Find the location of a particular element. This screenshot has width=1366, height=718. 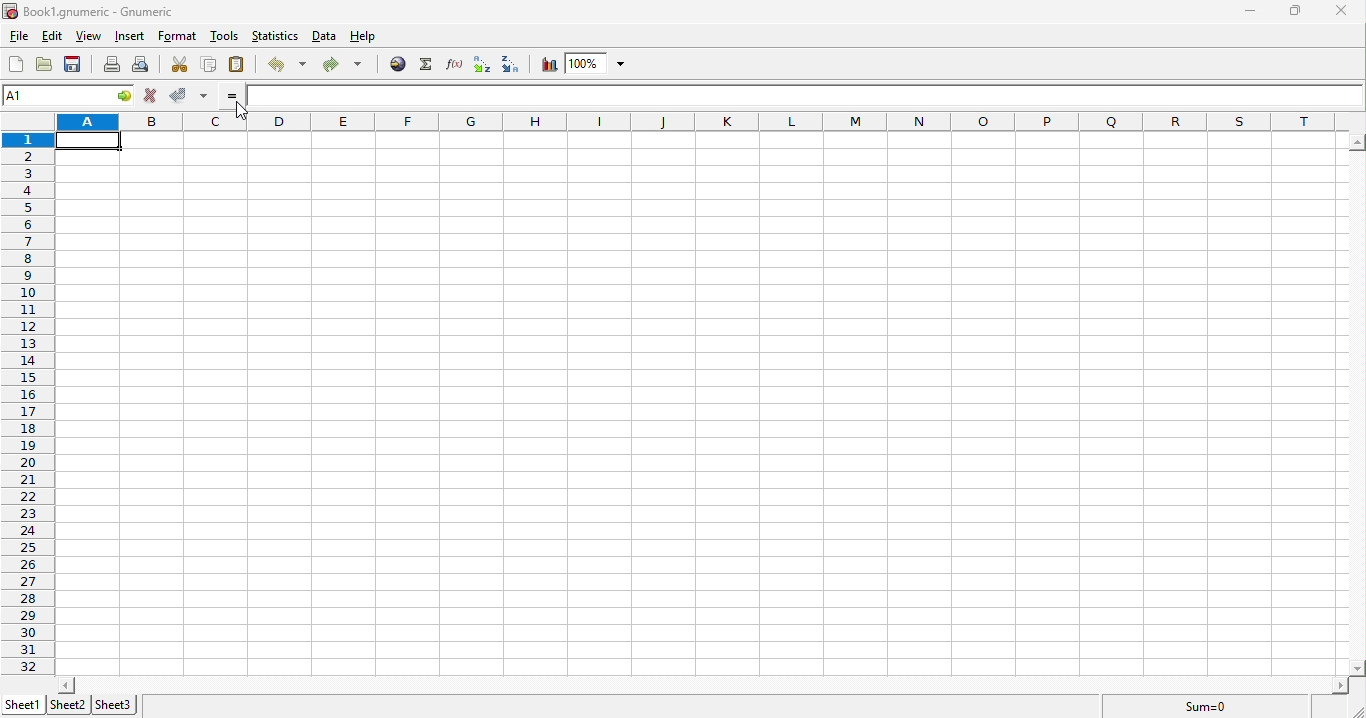

sort descending is located at coordinates (512, 65).